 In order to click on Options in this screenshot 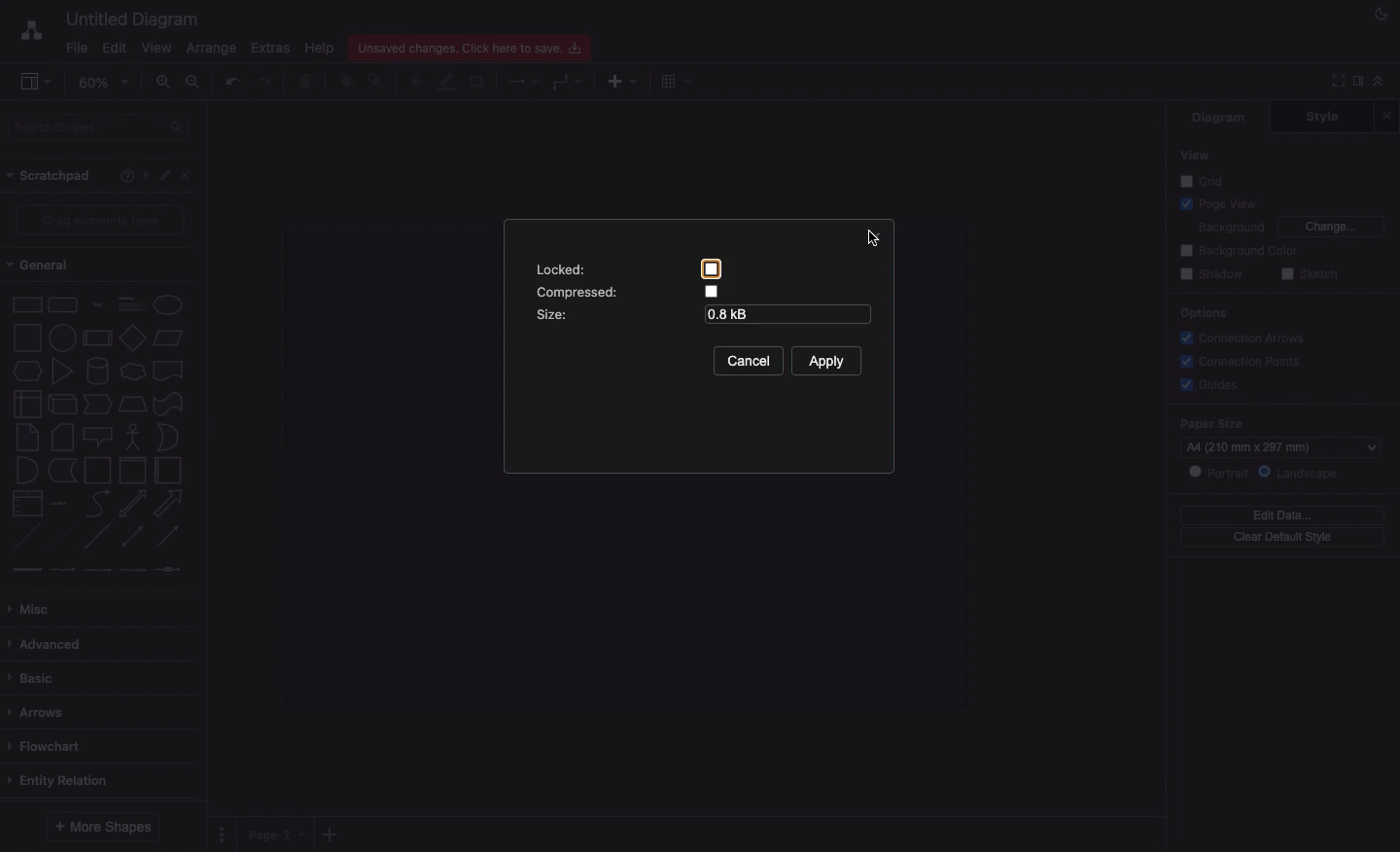, I will do `click(225, 833)`.